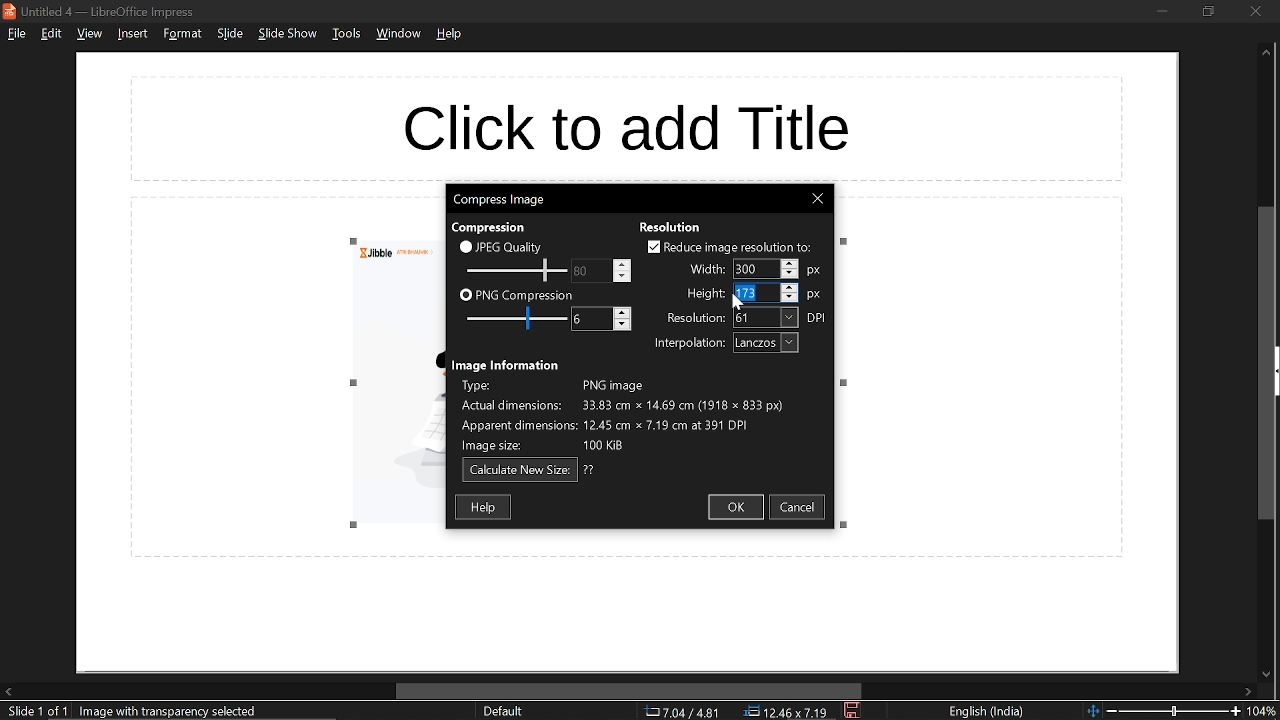  What do you see at coordinates (790, 275) in the screenshot?
I see `Decrease ` at bounding box center [790, 275].